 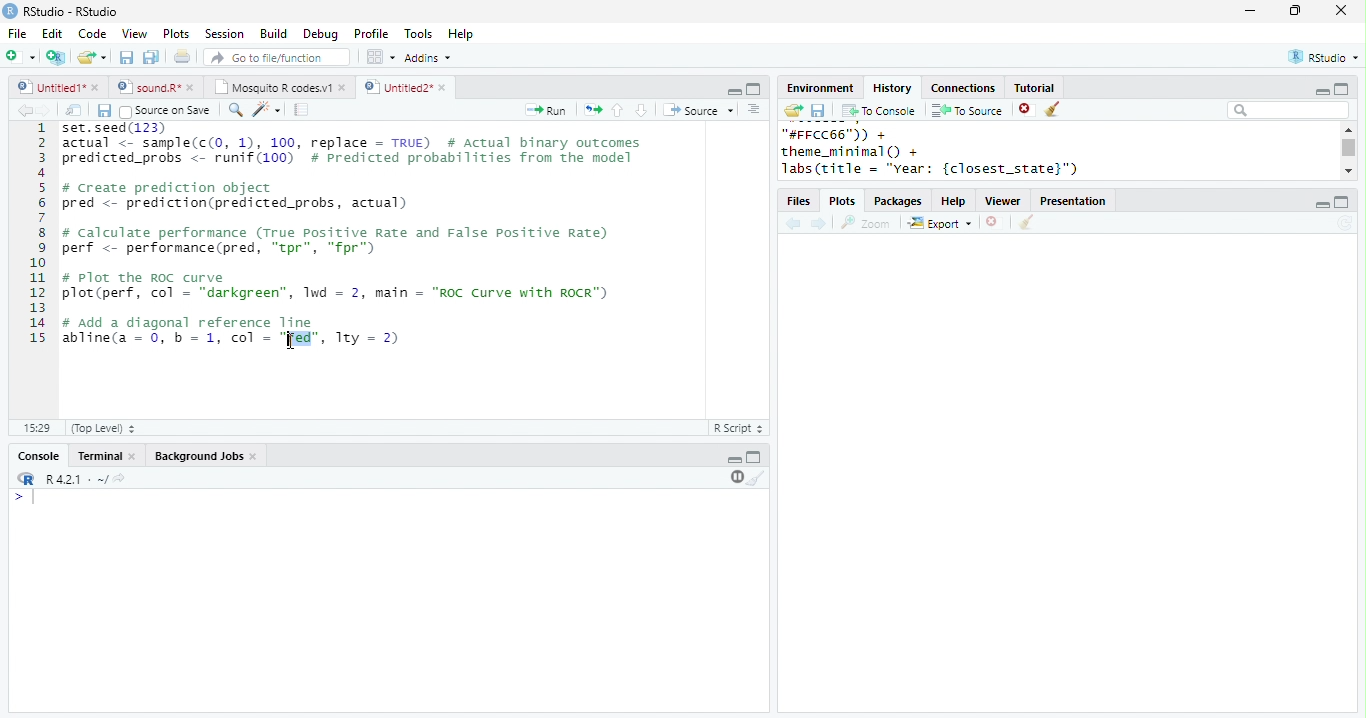 I want to click on up, so click(x=616, y=110).